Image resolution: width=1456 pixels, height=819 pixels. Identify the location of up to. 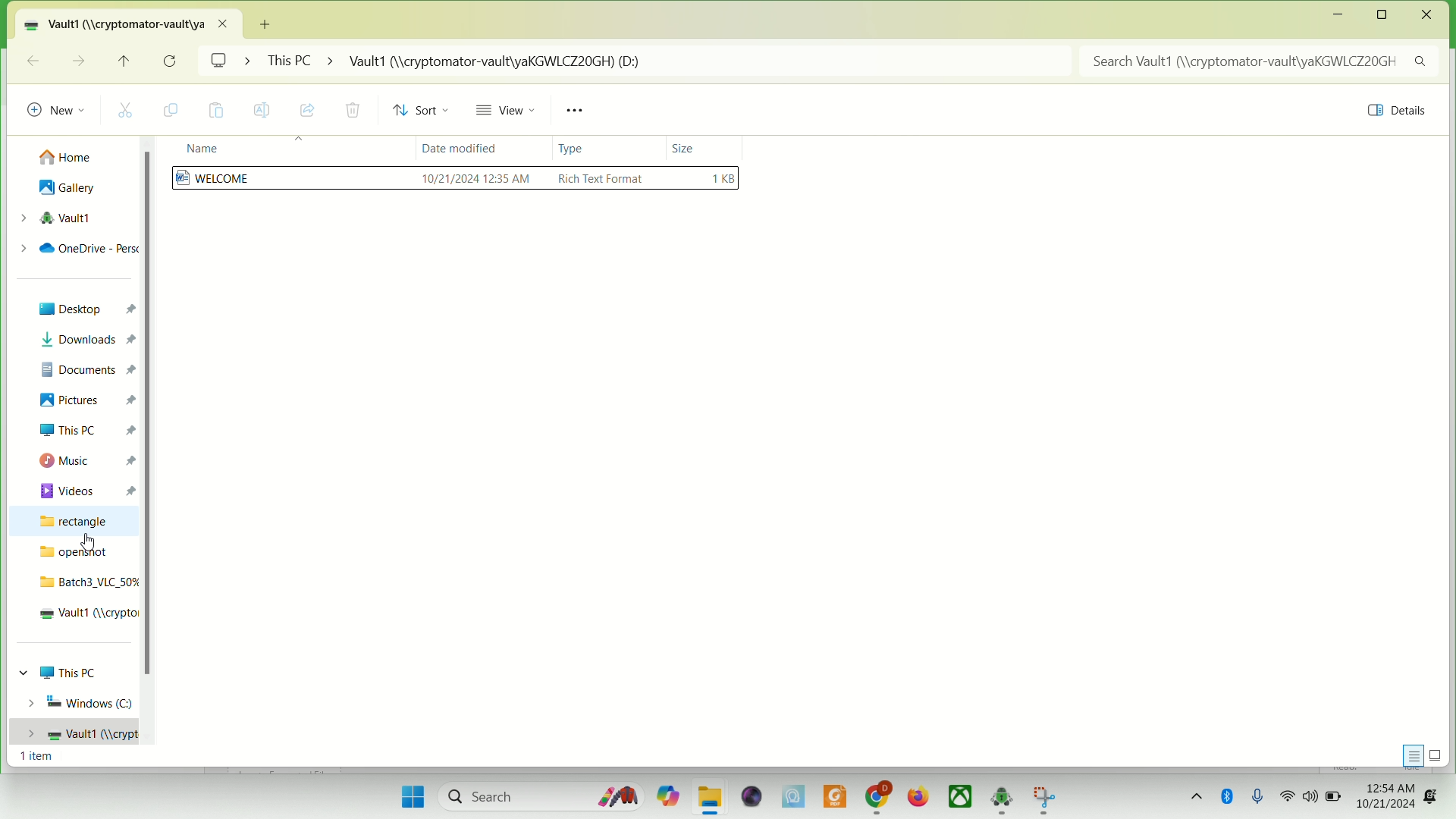
(128, 64).